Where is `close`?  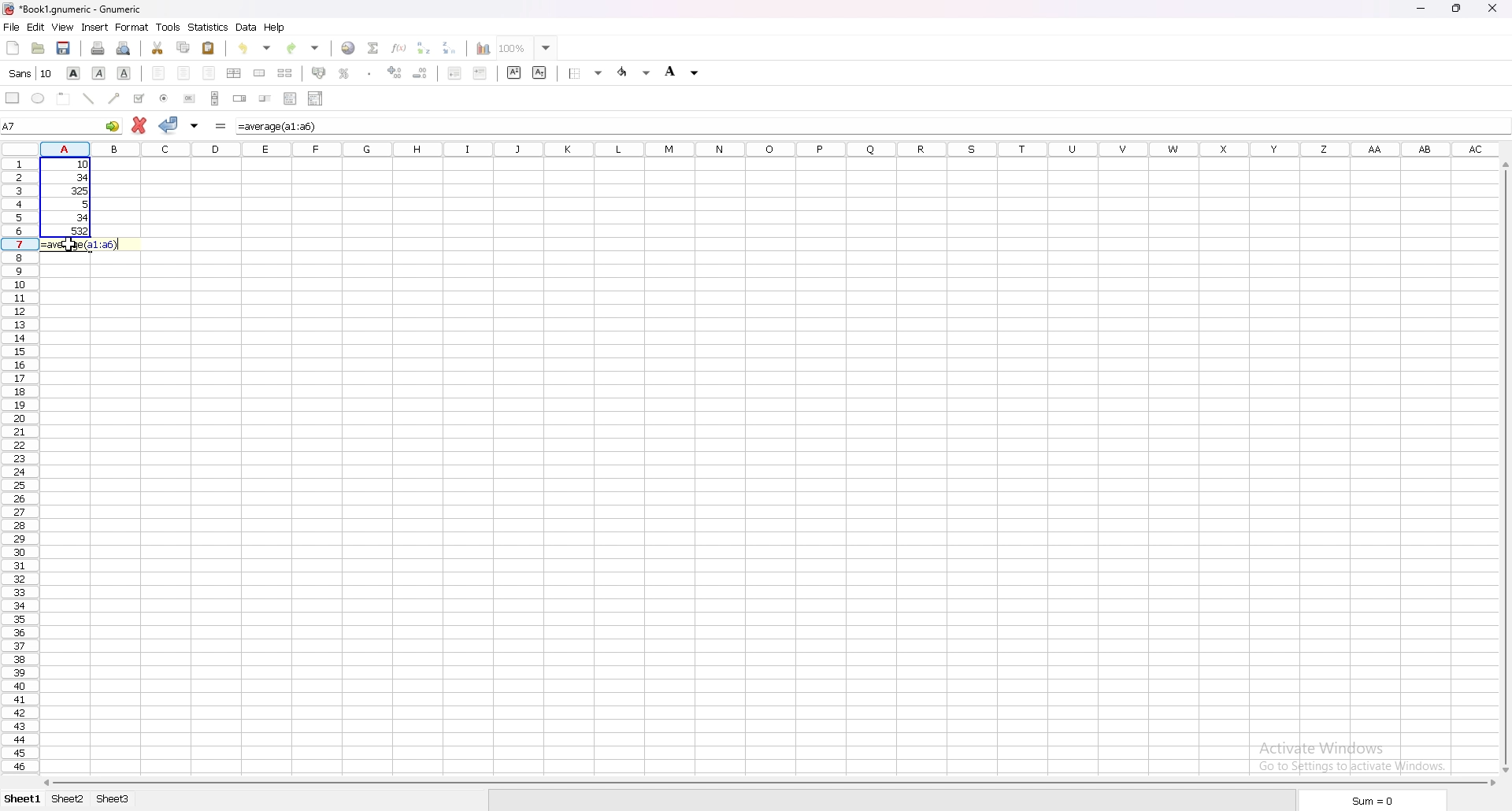 close is located at coordinates (1492, 9).